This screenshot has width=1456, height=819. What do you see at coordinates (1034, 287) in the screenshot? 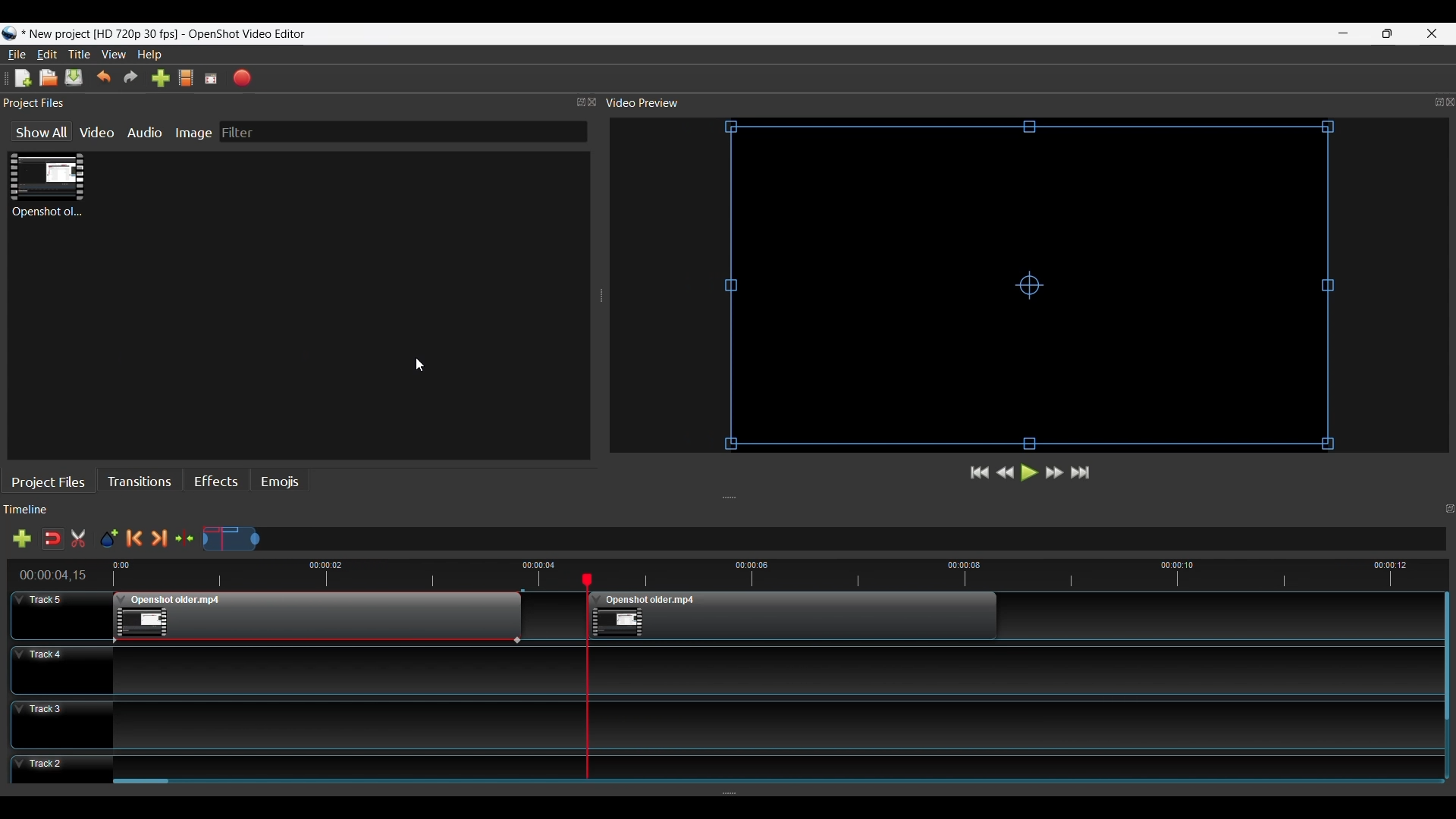
I see `Preview Window` at bounding box center [1034, 287].